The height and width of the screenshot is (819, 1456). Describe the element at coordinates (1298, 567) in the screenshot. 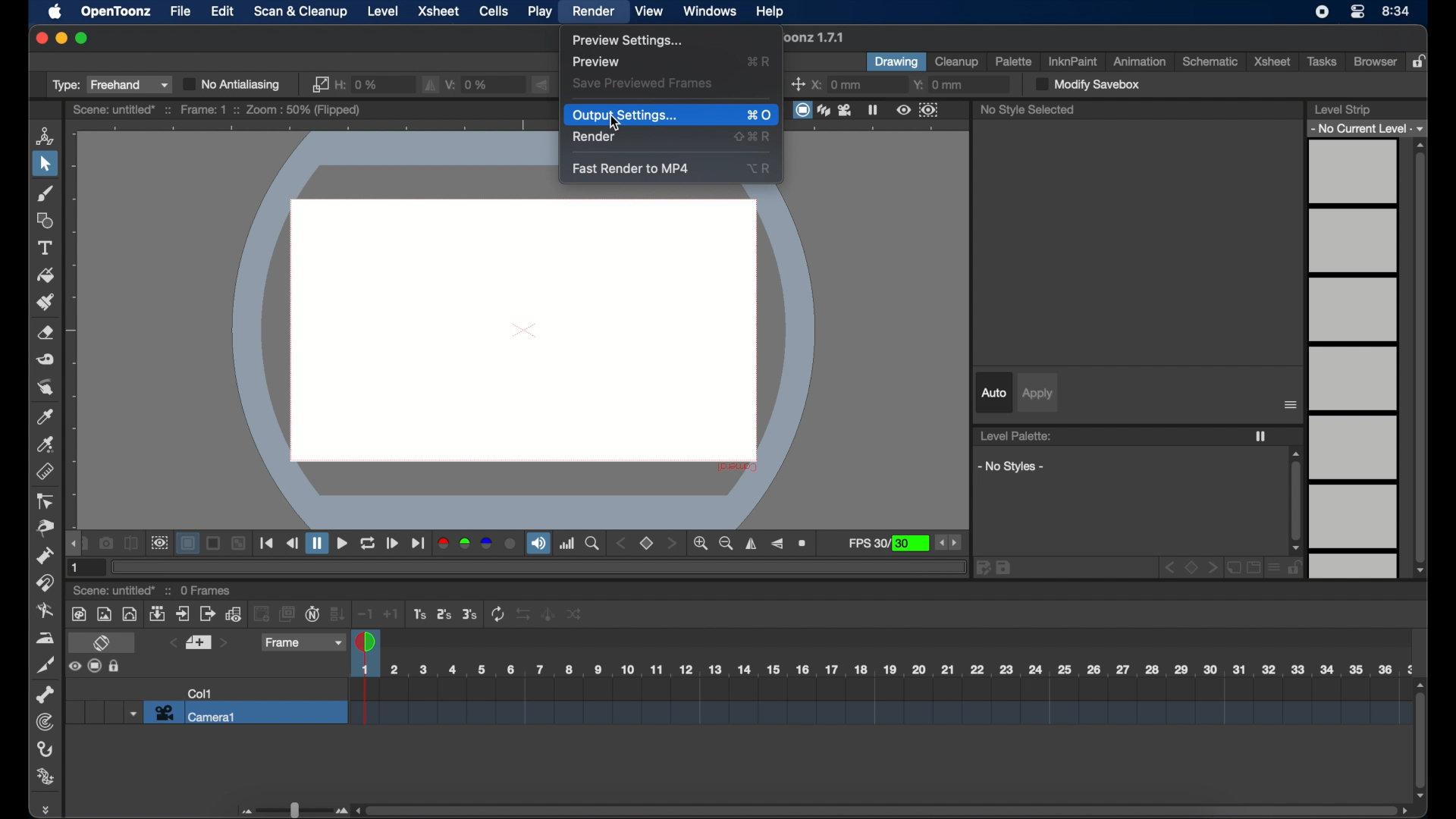

I see `` at that location.